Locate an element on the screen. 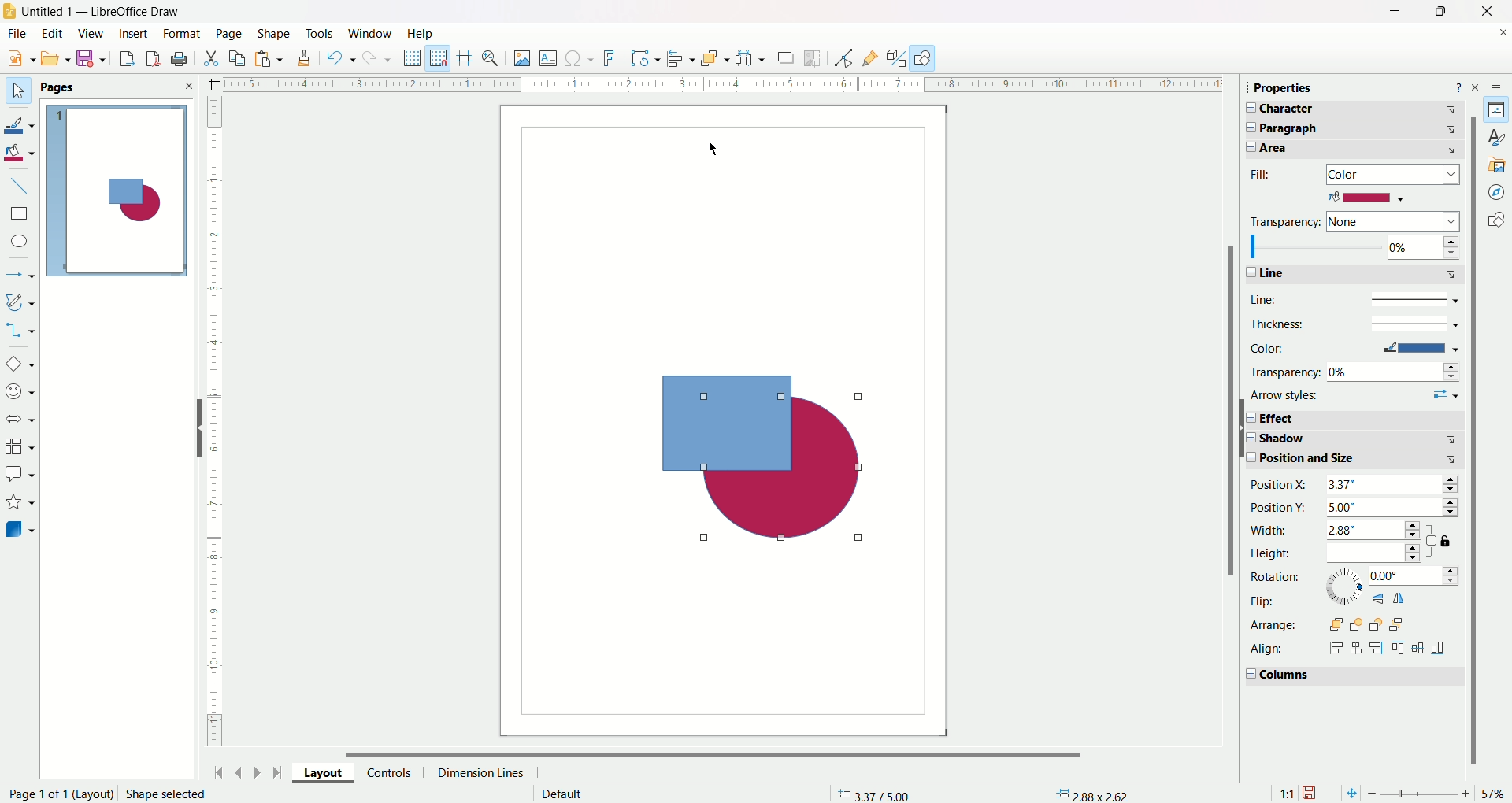  paste is located at coordinates (270, 61).